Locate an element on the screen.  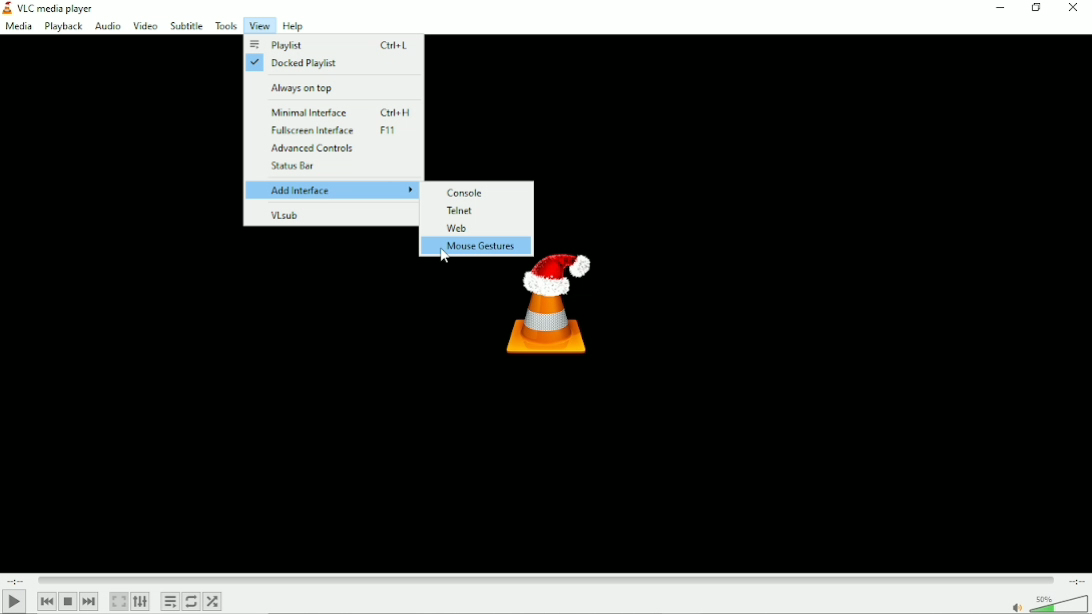
View is located at coordinates (259, 26).